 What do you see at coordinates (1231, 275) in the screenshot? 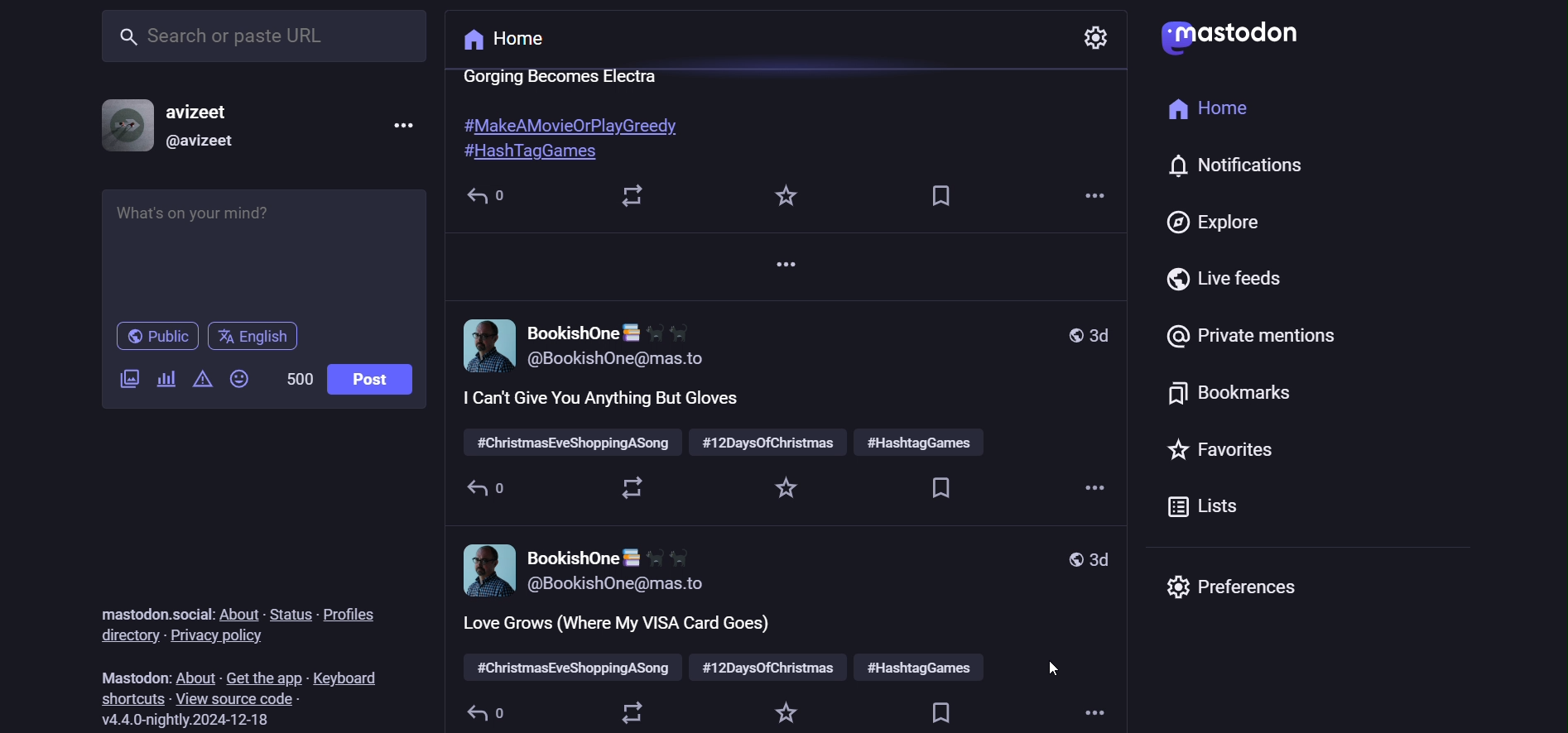
I see `live feed` at bounding box center [1231, 275].